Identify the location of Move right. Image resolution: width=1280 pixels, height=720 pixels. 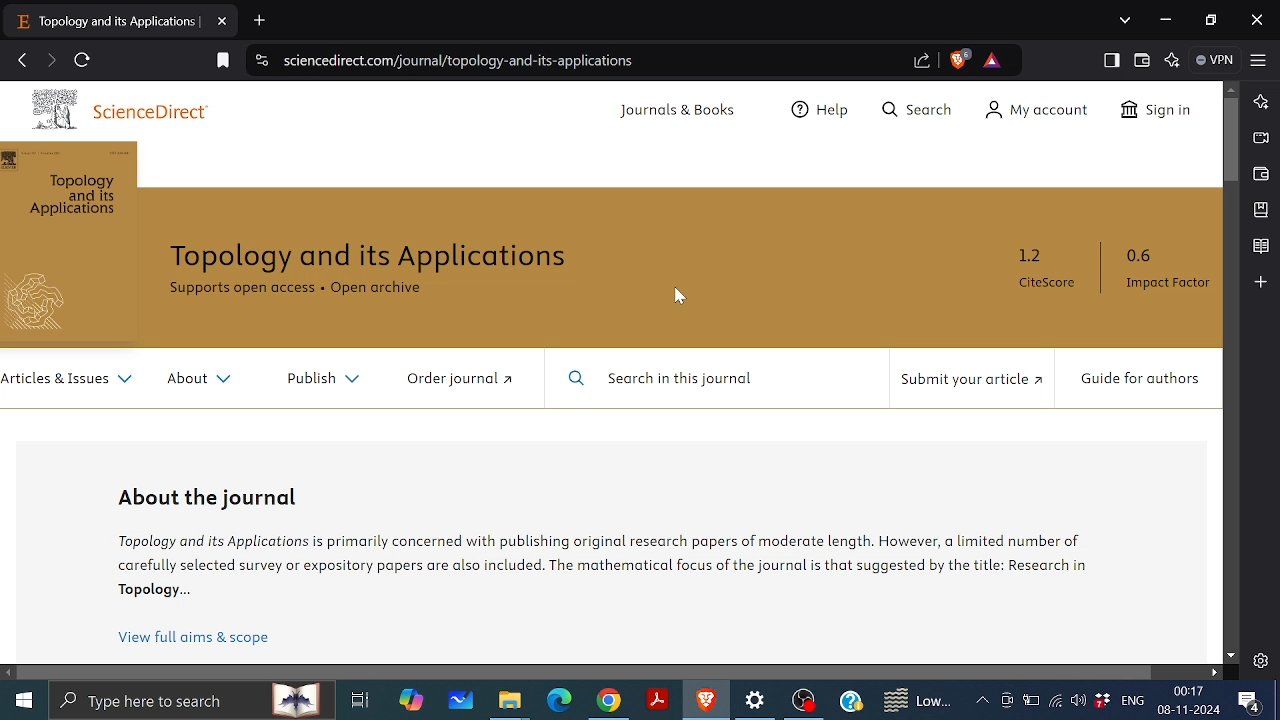
(1213, 672).